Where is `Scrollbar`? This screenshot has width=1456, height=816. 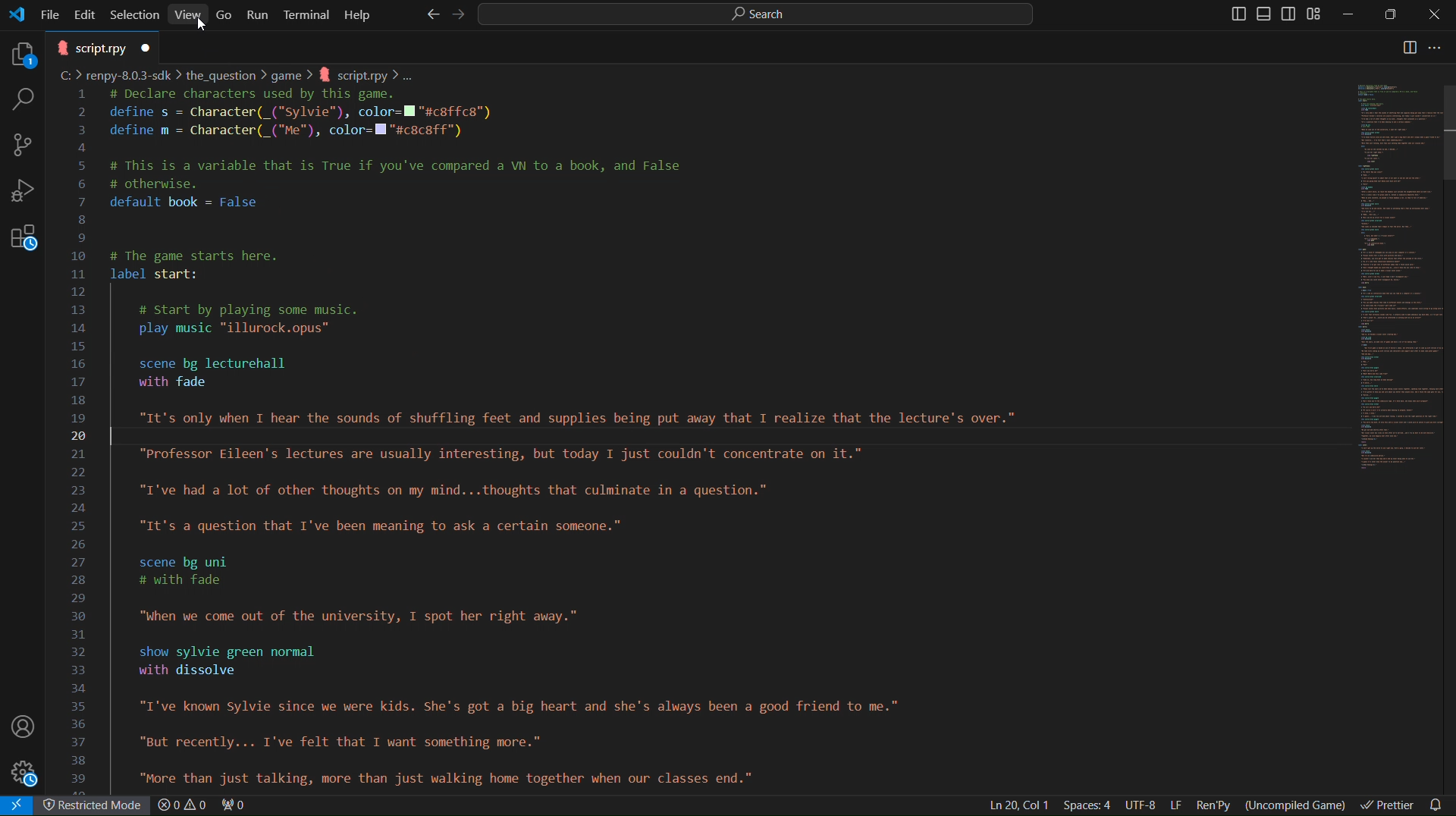
Scrollbar is located at coordinates (1447, 133).